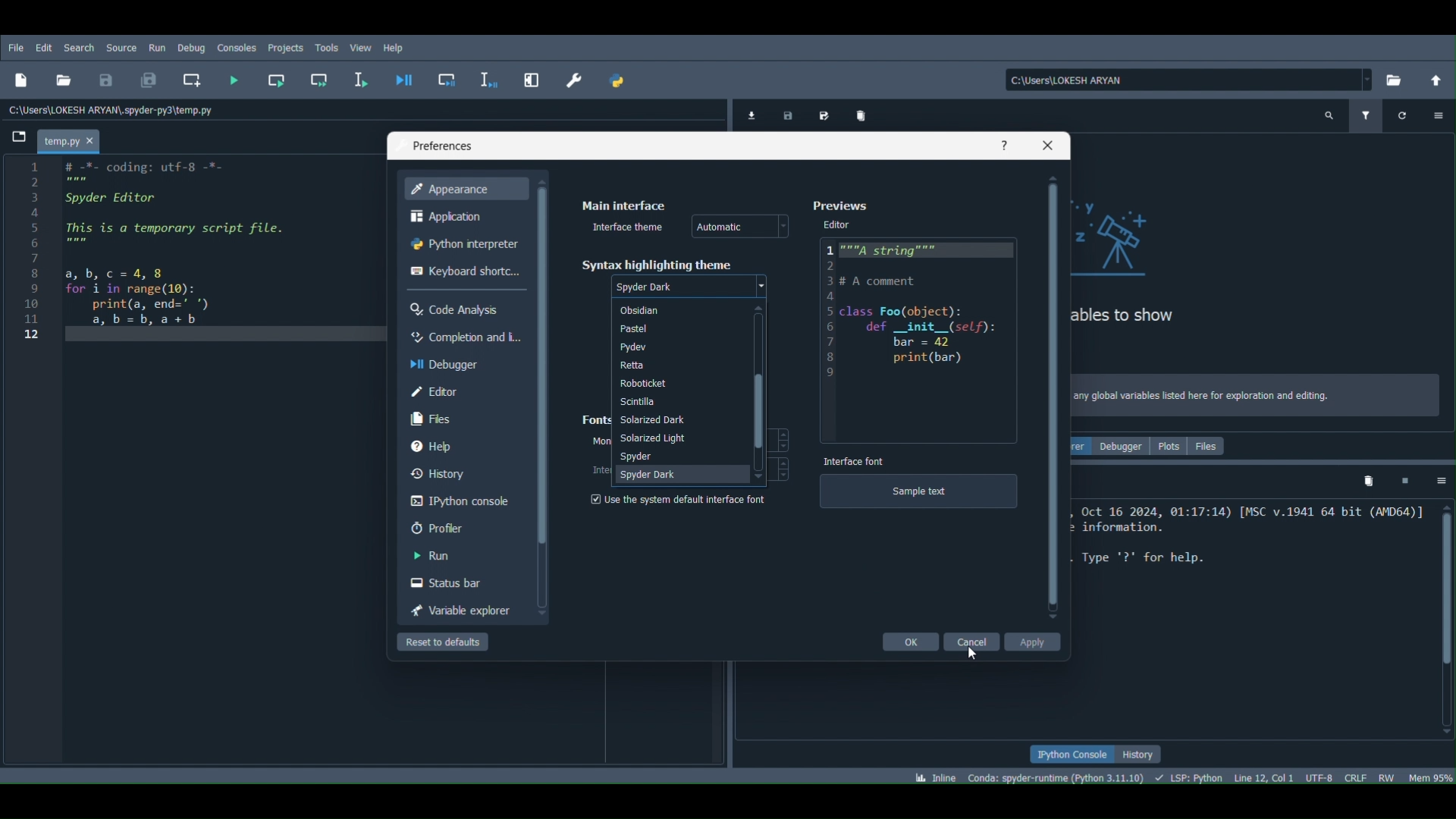 The width and height of the screenshot is (1456, 819). What do you see at coordinates (1407, 482) in the screenshot?
I see `Interrupt kernel` at bounding box center [1407, 482].